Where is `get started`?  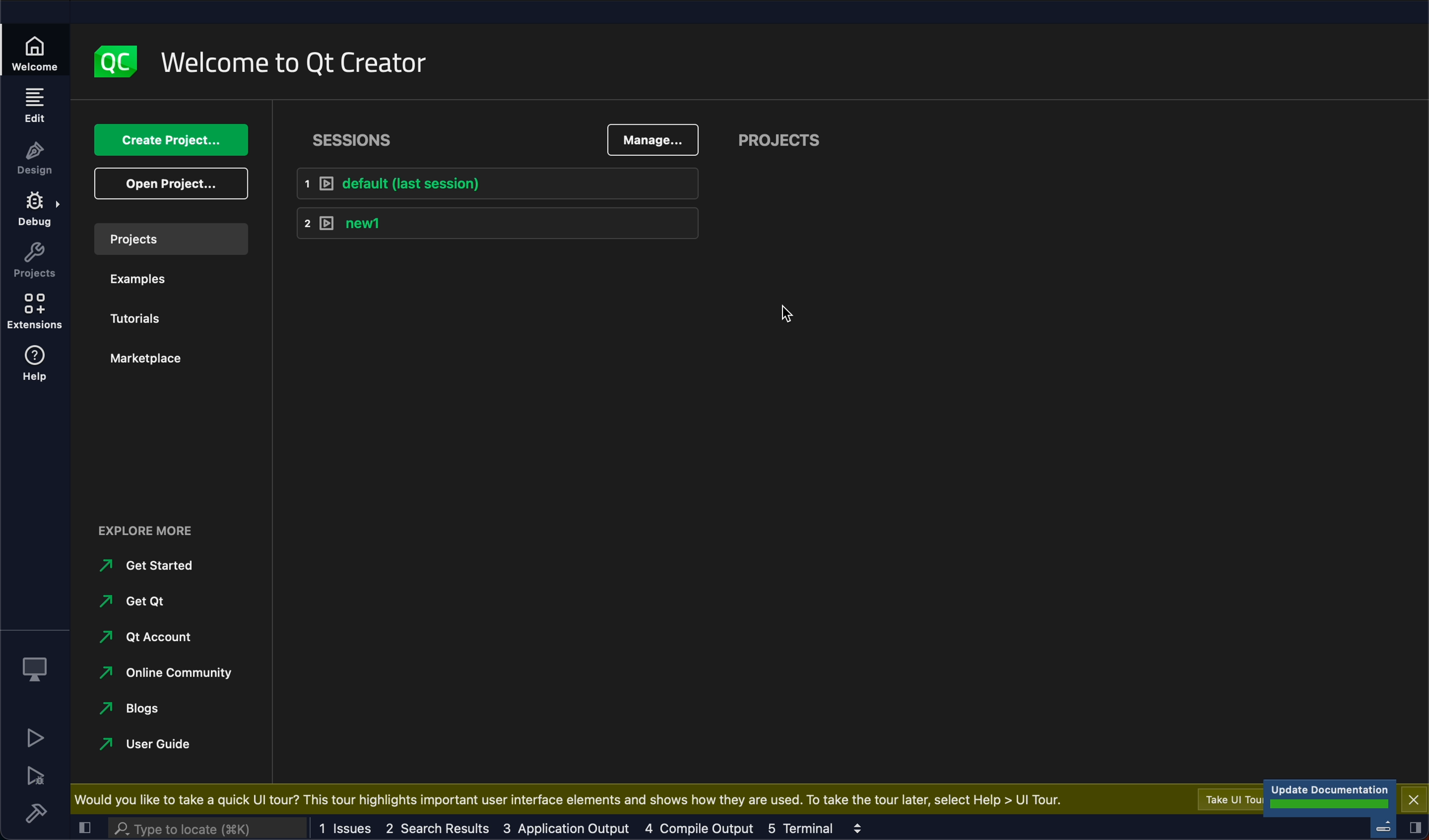
get started is located at coordinates (151, 567).